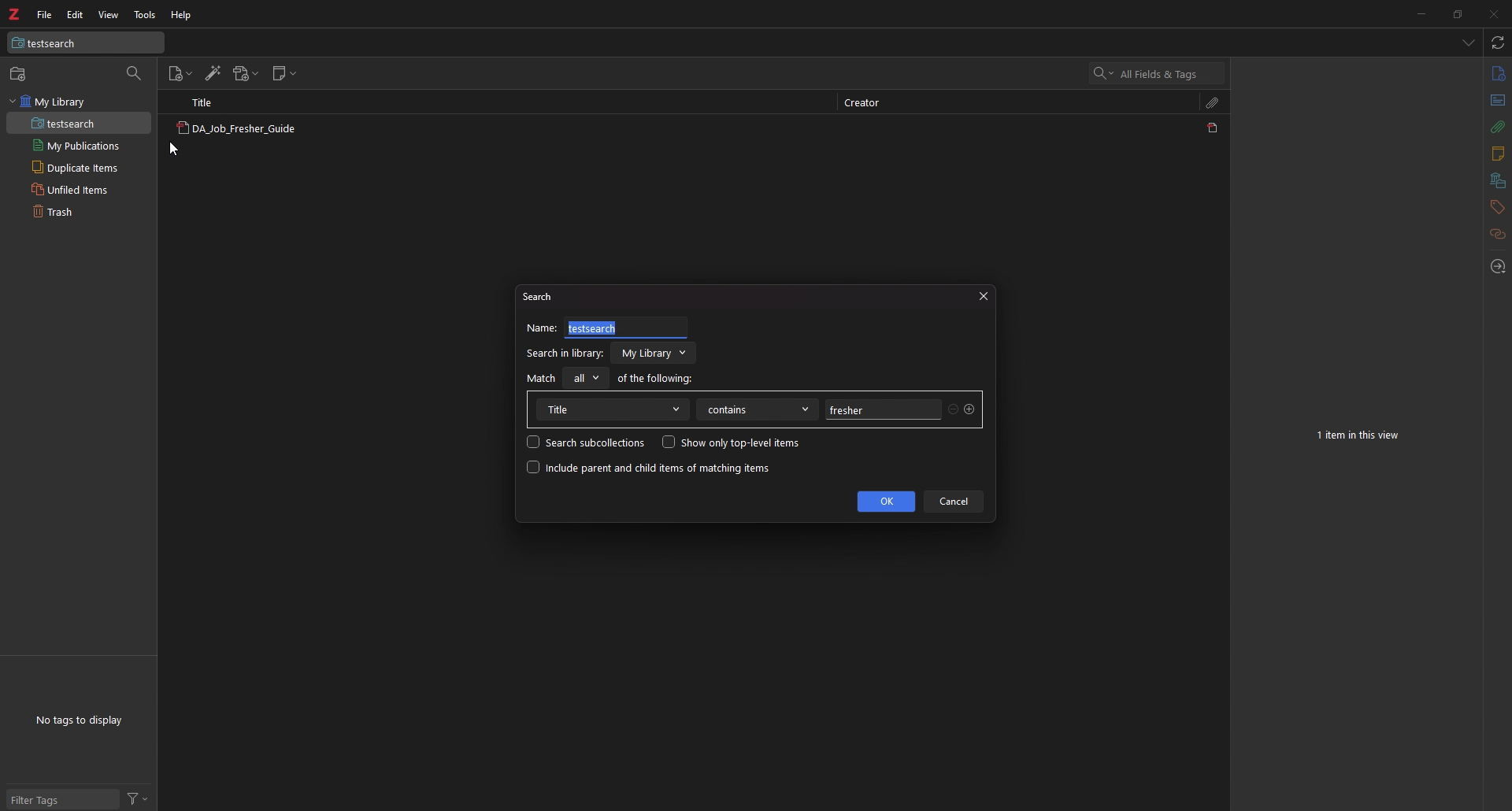  Describe the element at coordinates (1158, 73) in the screenshot. I see `All fields & Tags` at that location.